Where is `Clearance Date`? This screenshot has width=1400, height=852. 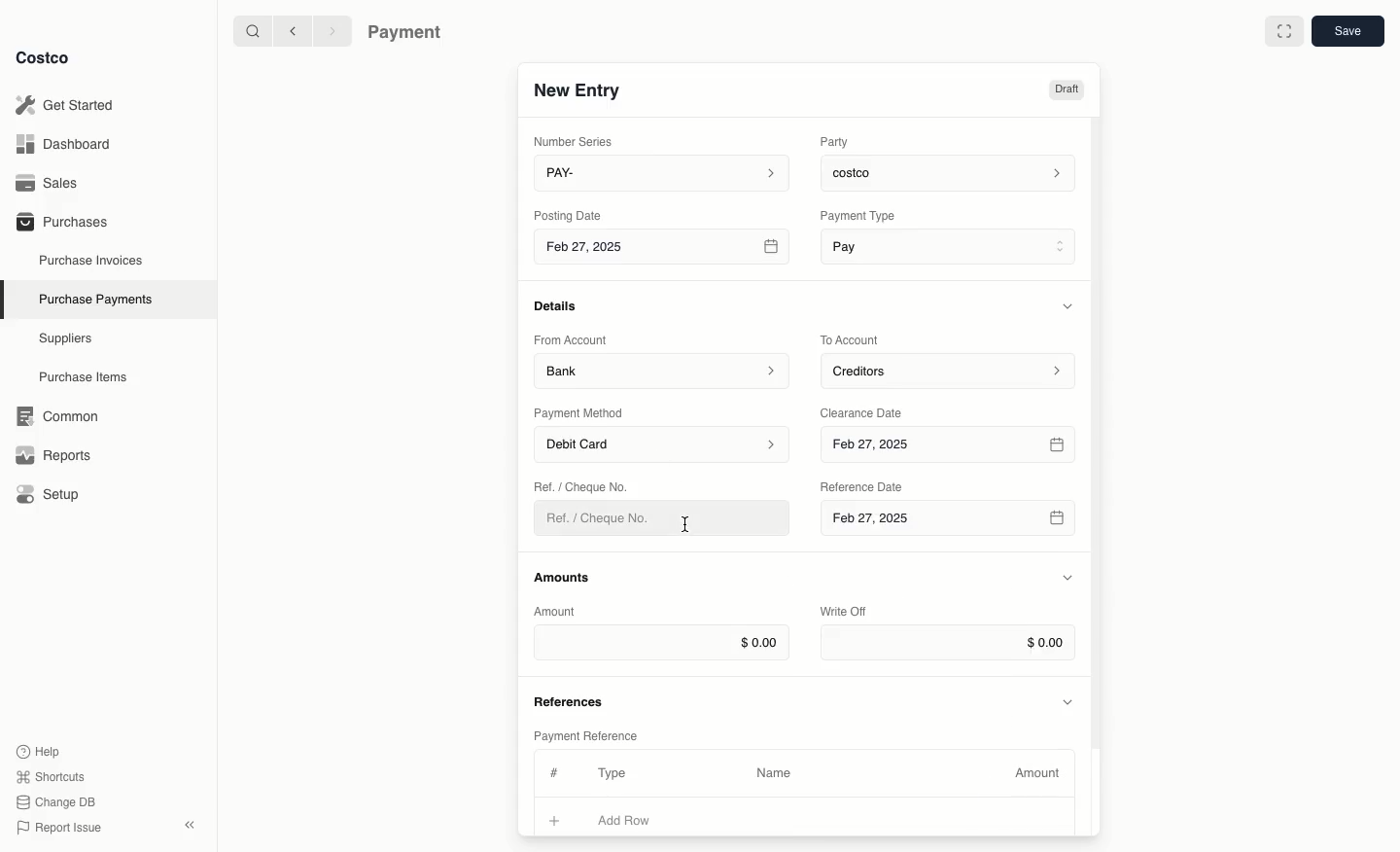
Clearance Date is located at coordinates (868, 411).